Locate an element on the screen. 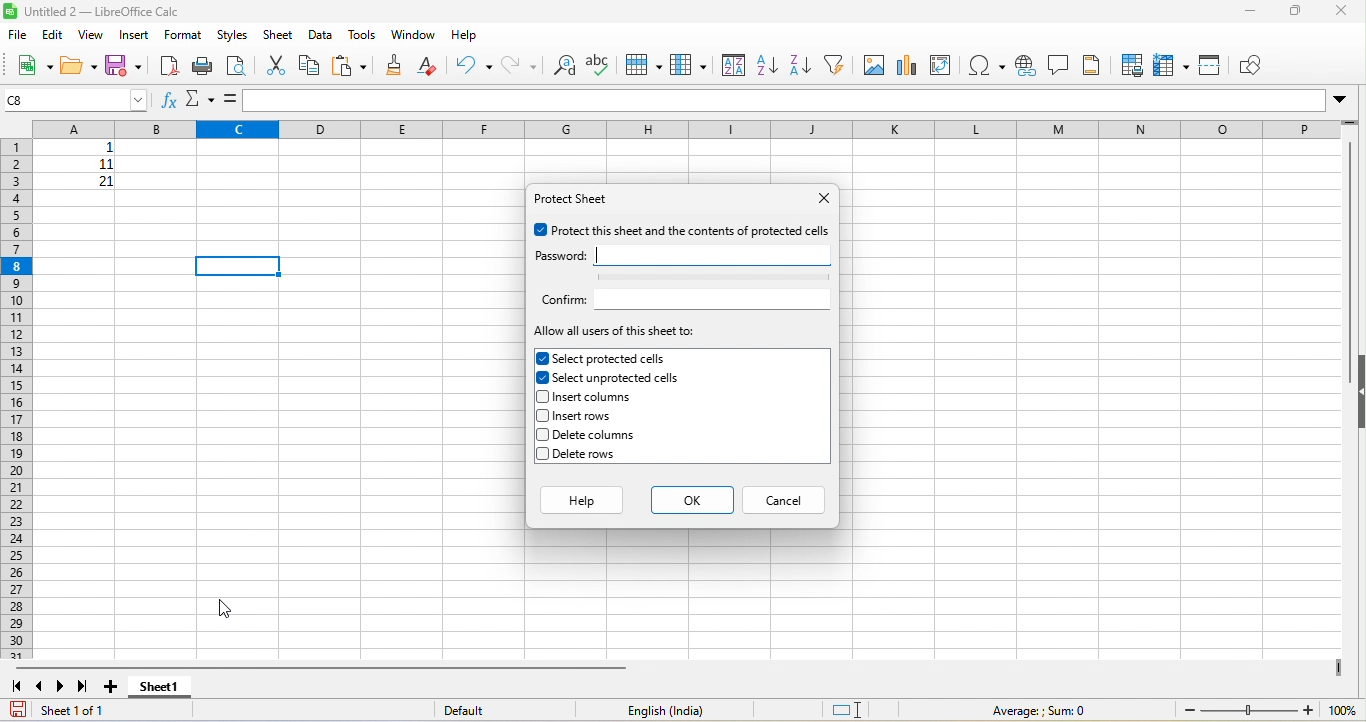  select function is located at coordinates (201, 99).